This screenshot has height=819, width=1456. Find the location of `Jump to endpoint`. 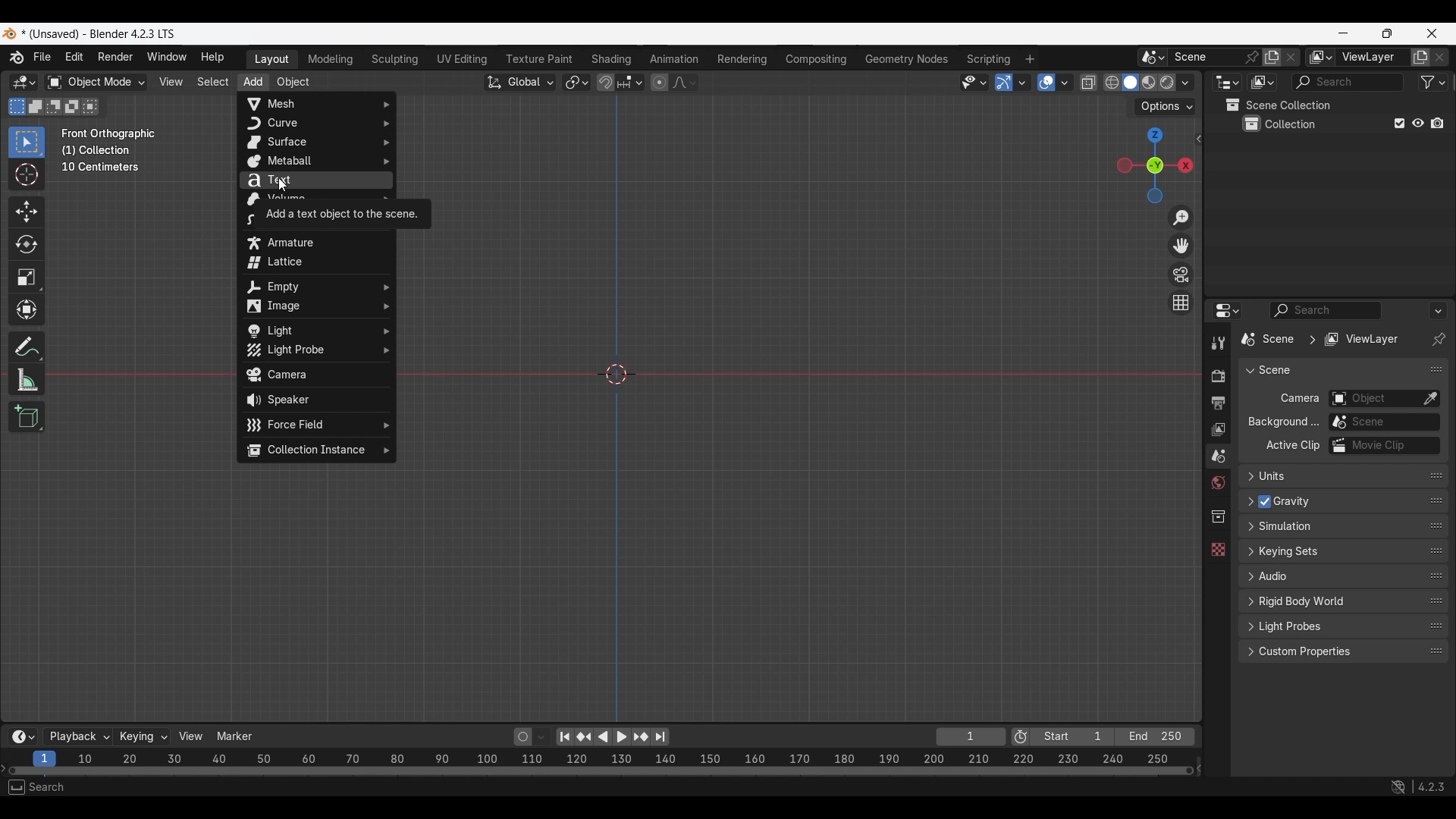

Jump to endpoint is located at coordinates (565, 737).